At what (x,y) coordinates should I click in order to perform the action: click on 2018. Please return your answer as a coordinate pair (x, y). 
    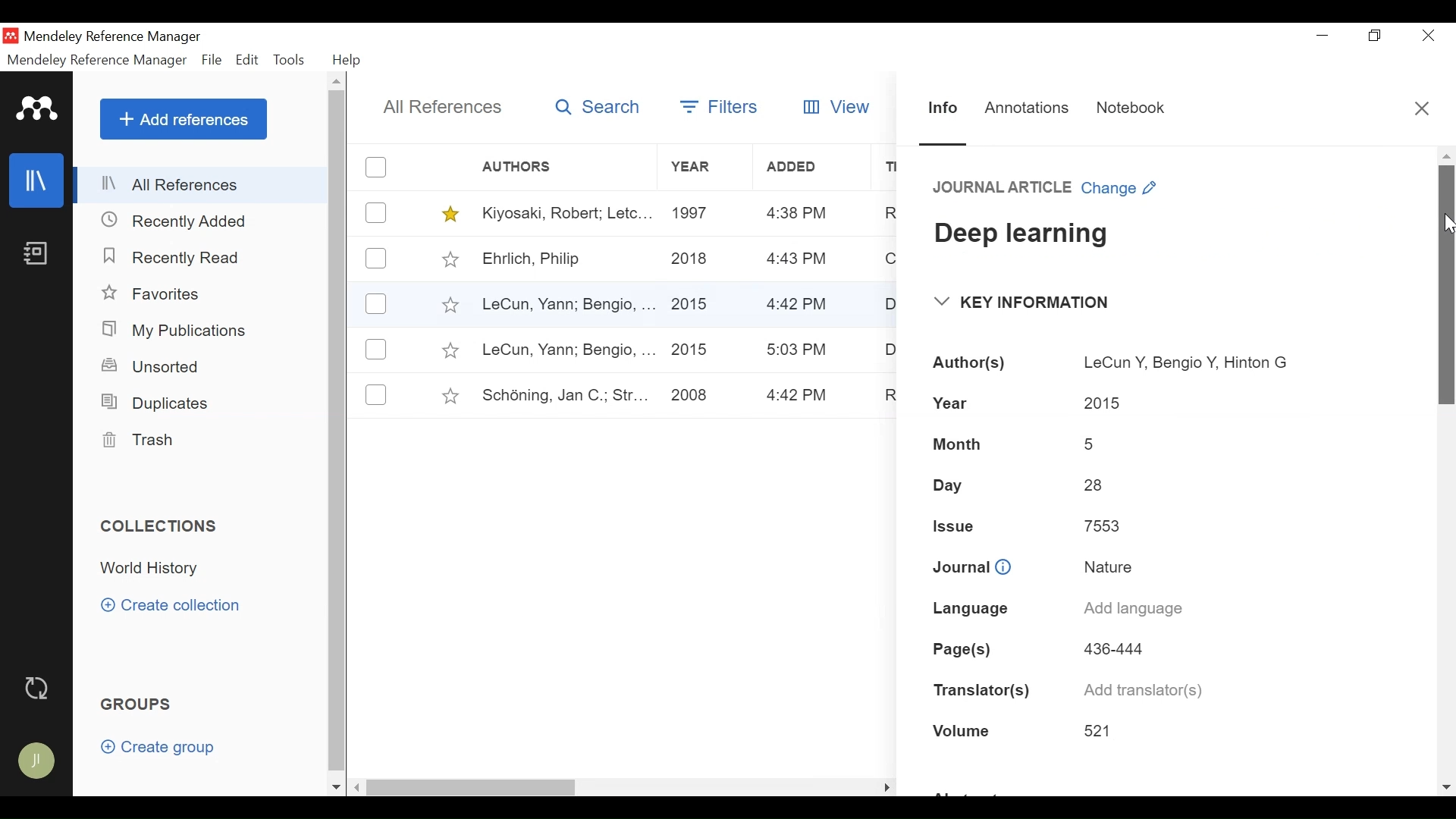
    Looking at the image, I should click on (691, 260).